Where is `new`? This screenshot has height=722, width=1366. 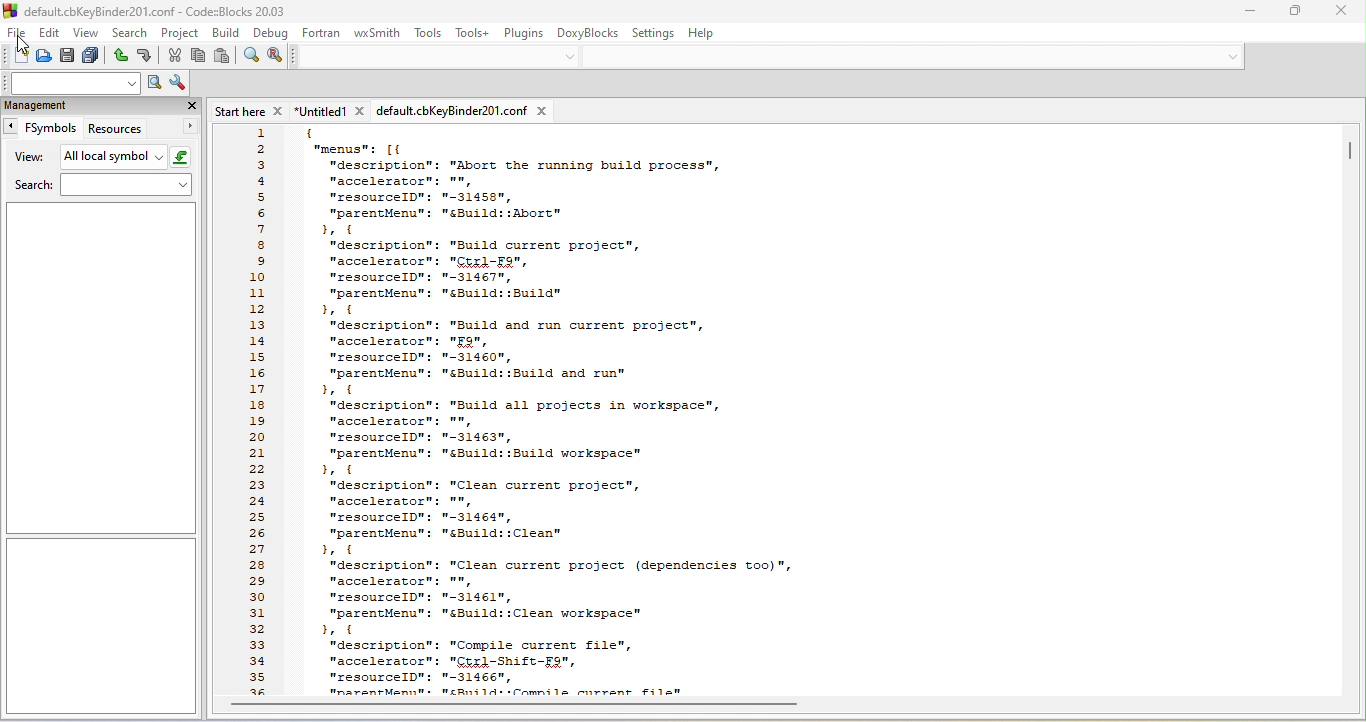 new is located at coordinates (16, 57).